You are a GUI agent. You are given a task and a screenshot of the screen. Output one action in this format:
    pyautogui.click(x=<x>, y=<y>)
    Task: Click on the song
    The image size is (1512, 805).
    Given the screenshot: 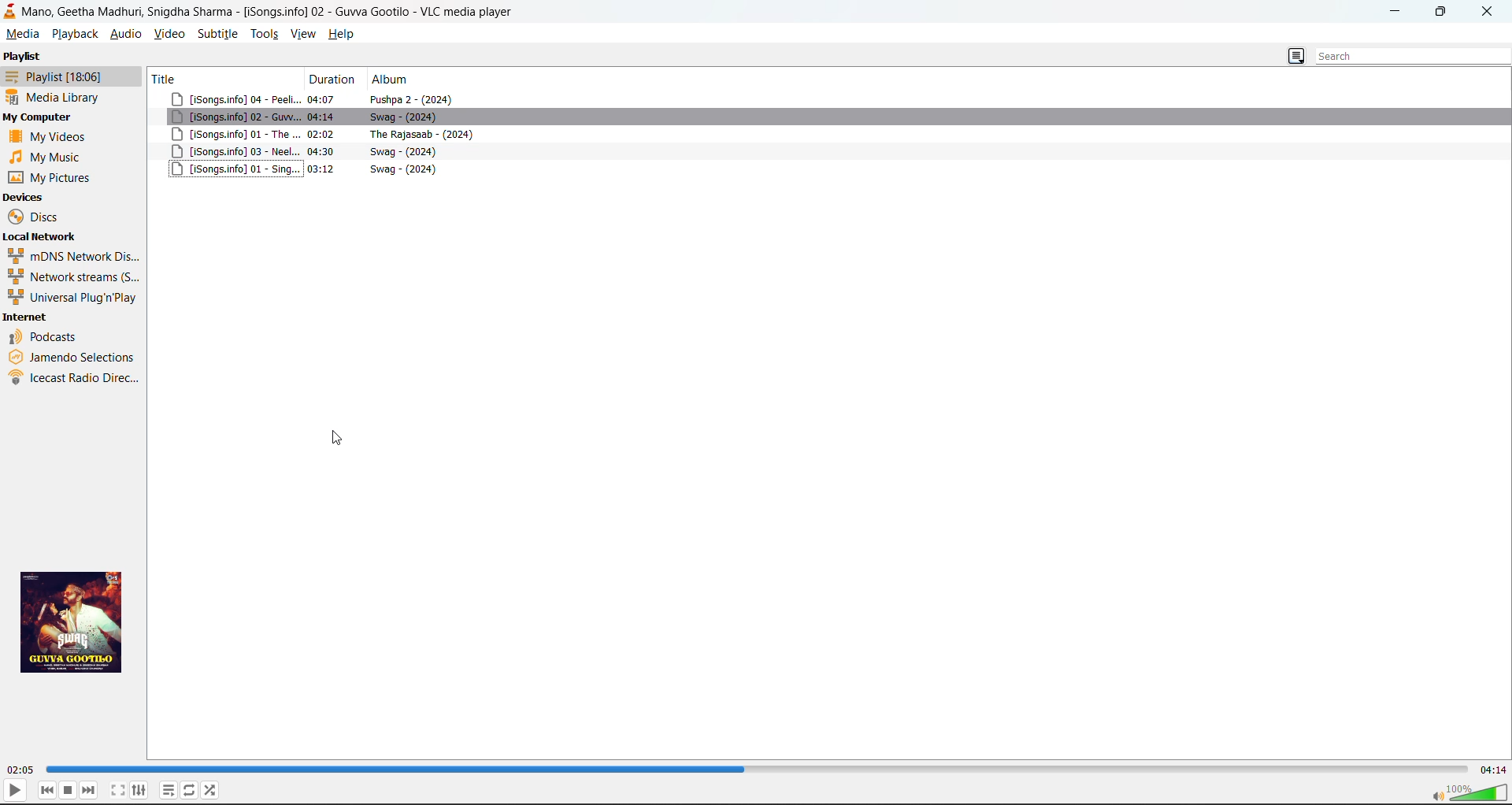 What is the action you would take?
    pyautogui.click(x=830, y=169)
    